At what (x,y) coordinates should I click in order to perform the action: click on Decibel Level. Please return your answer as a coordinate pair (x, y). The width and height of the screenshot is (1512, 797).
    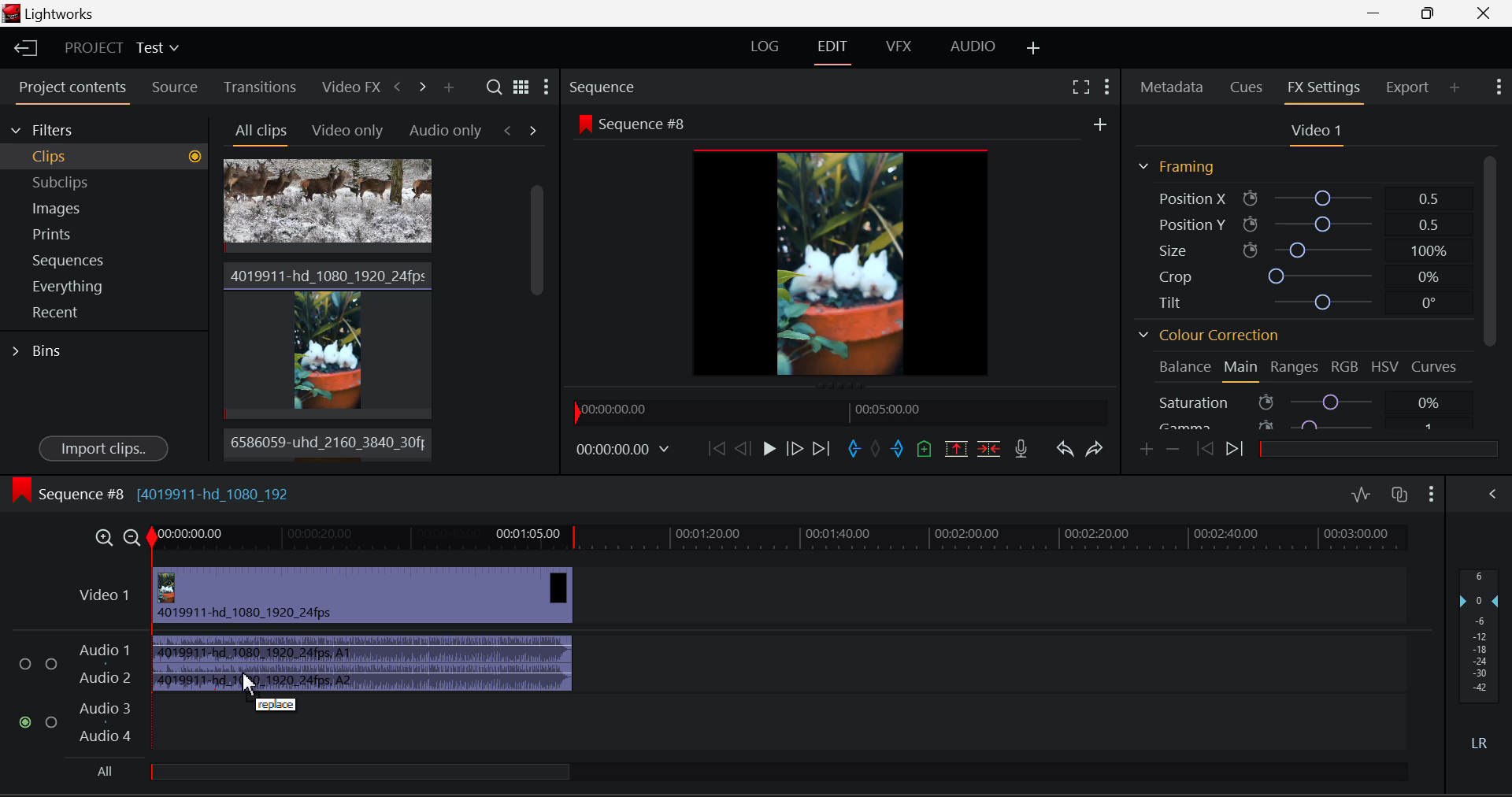
    Looking at the image, I should click on (1480, 651).